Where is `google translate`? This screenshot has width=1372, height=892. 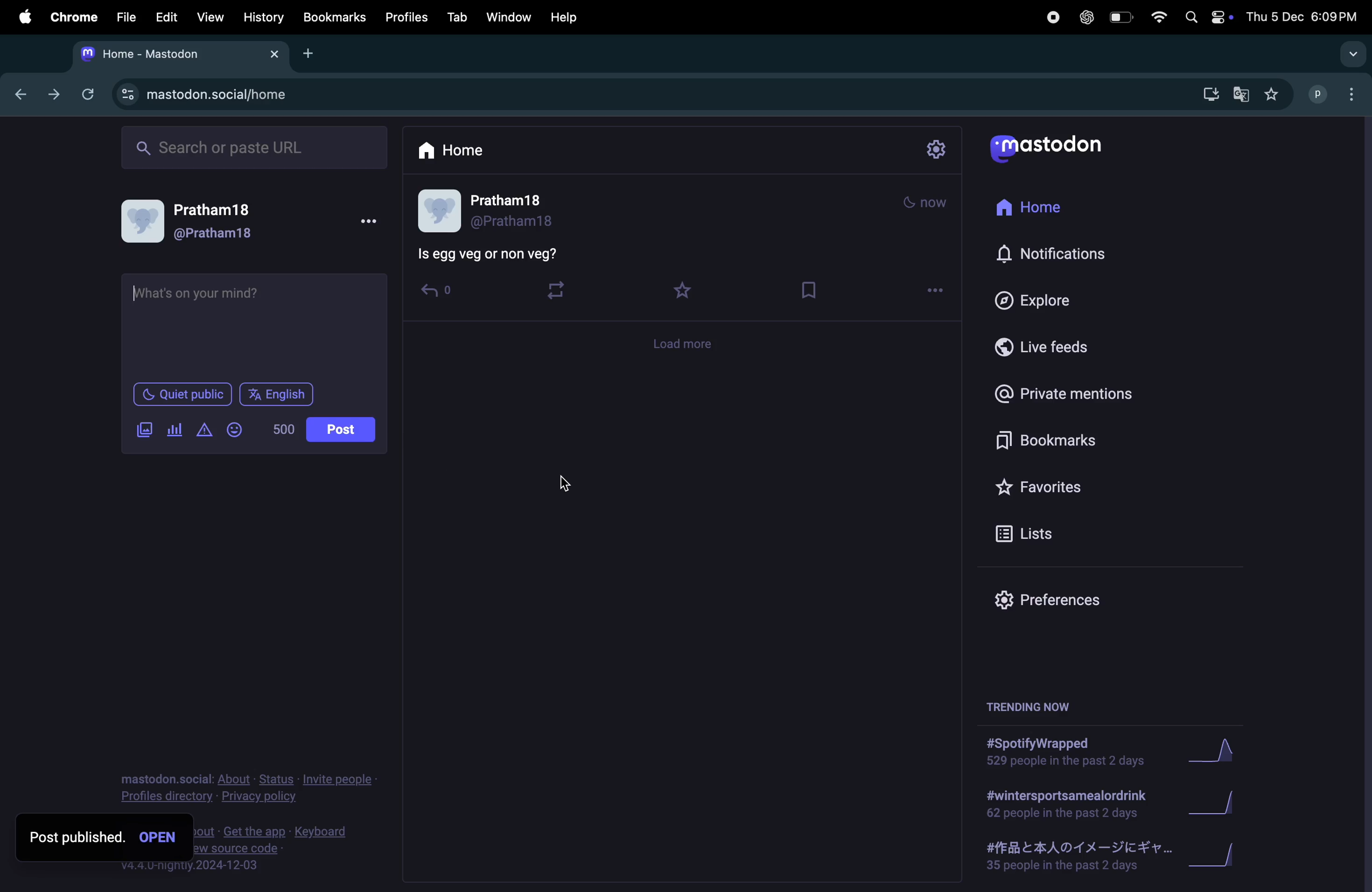
google translate is located at coordinates (1245, 96).